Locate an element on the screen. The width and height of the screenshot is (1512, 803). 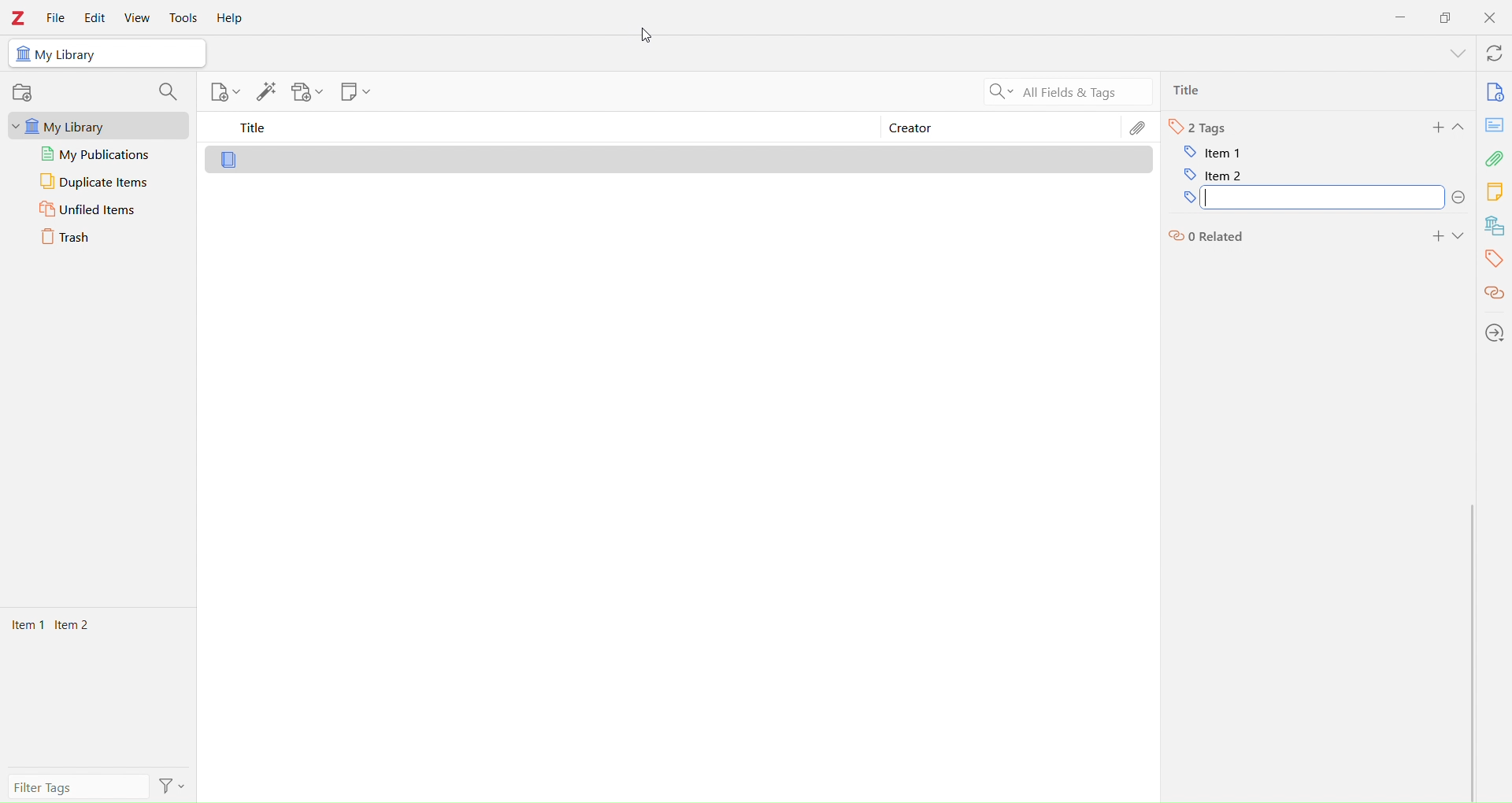
search is located at coordinates (169, 94).